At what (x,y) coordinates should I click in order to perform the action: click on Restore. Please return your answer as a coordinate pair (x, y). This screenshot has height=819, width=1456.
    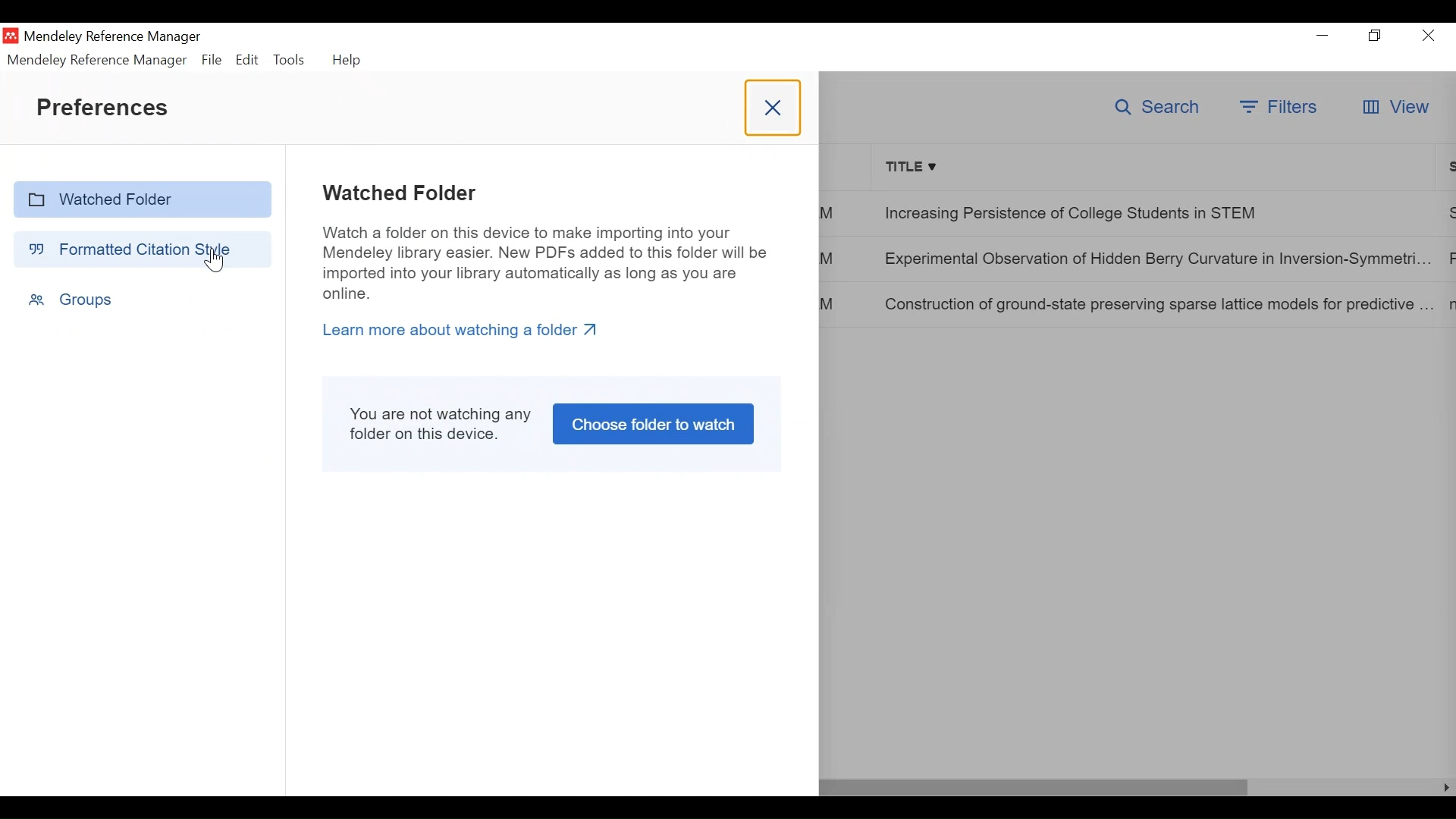
    Looking at the image, I should click on (1376, 36).